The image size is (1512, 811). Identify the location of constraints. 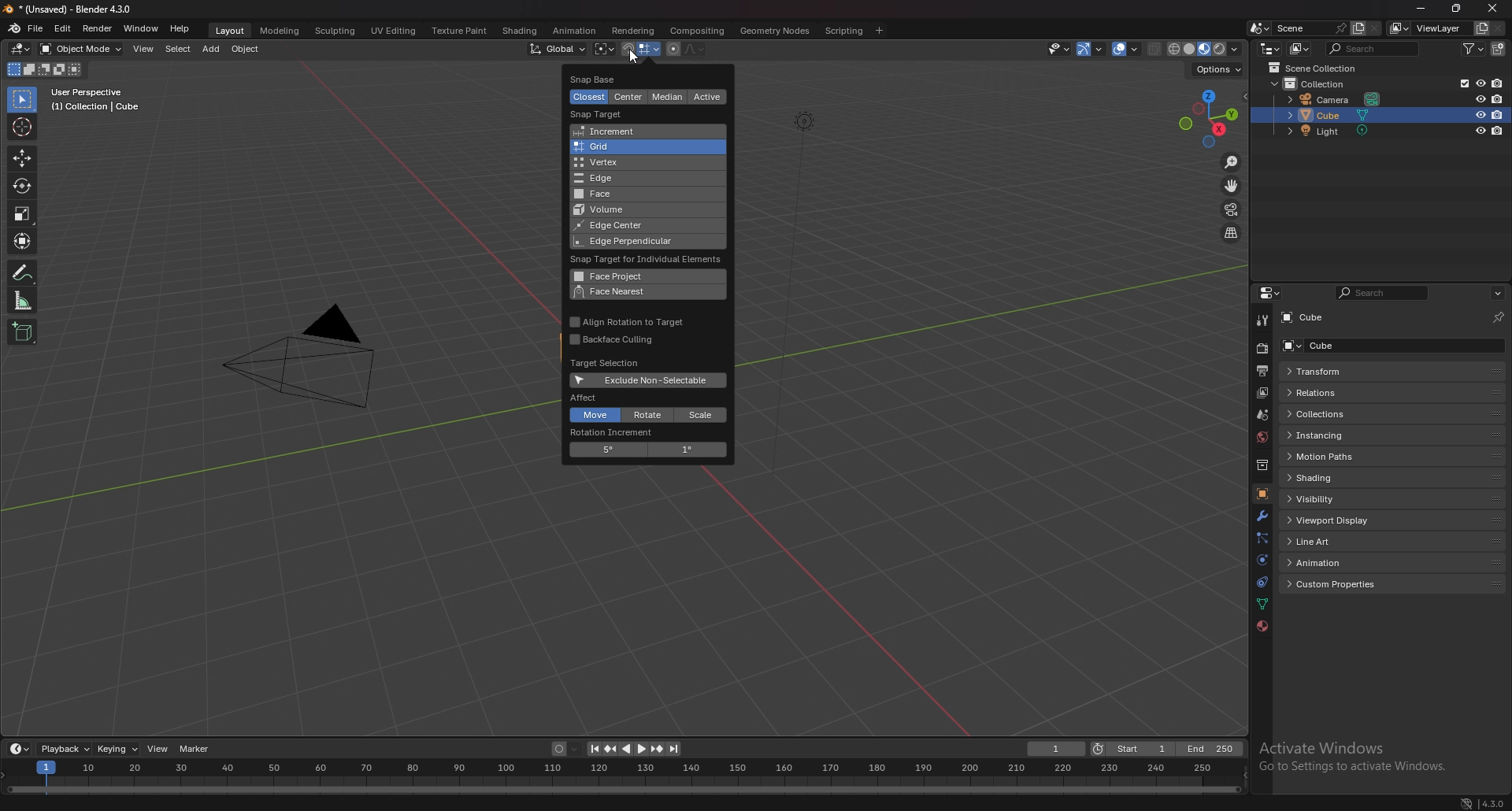
(1262, 581).